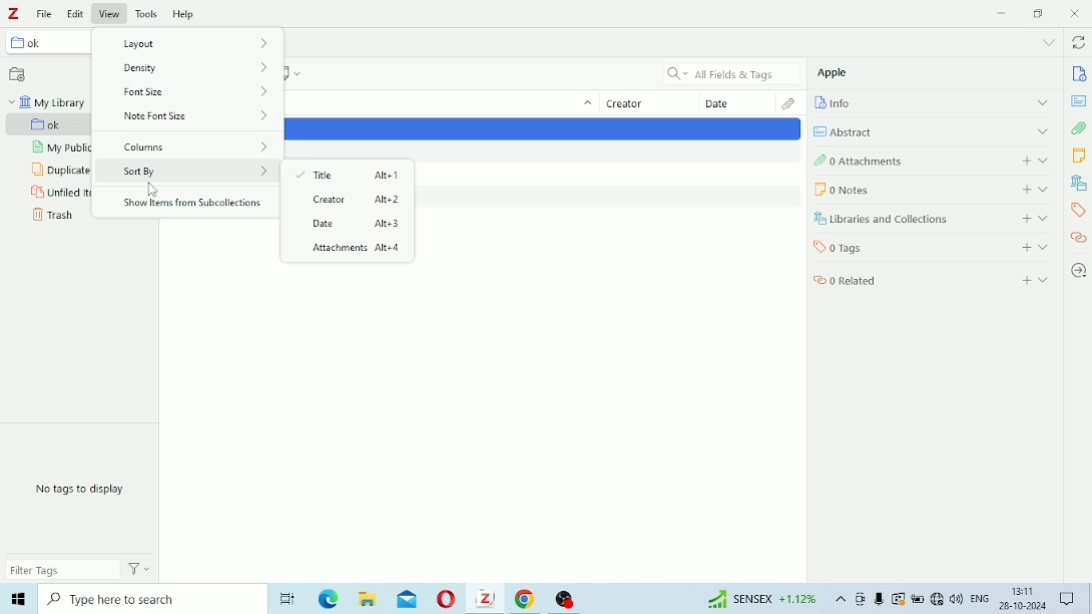 This screenshot has height=614, width=1092. Describe the element at coordinates (188, 43) in the screenshot. I see `Layout` at that location.